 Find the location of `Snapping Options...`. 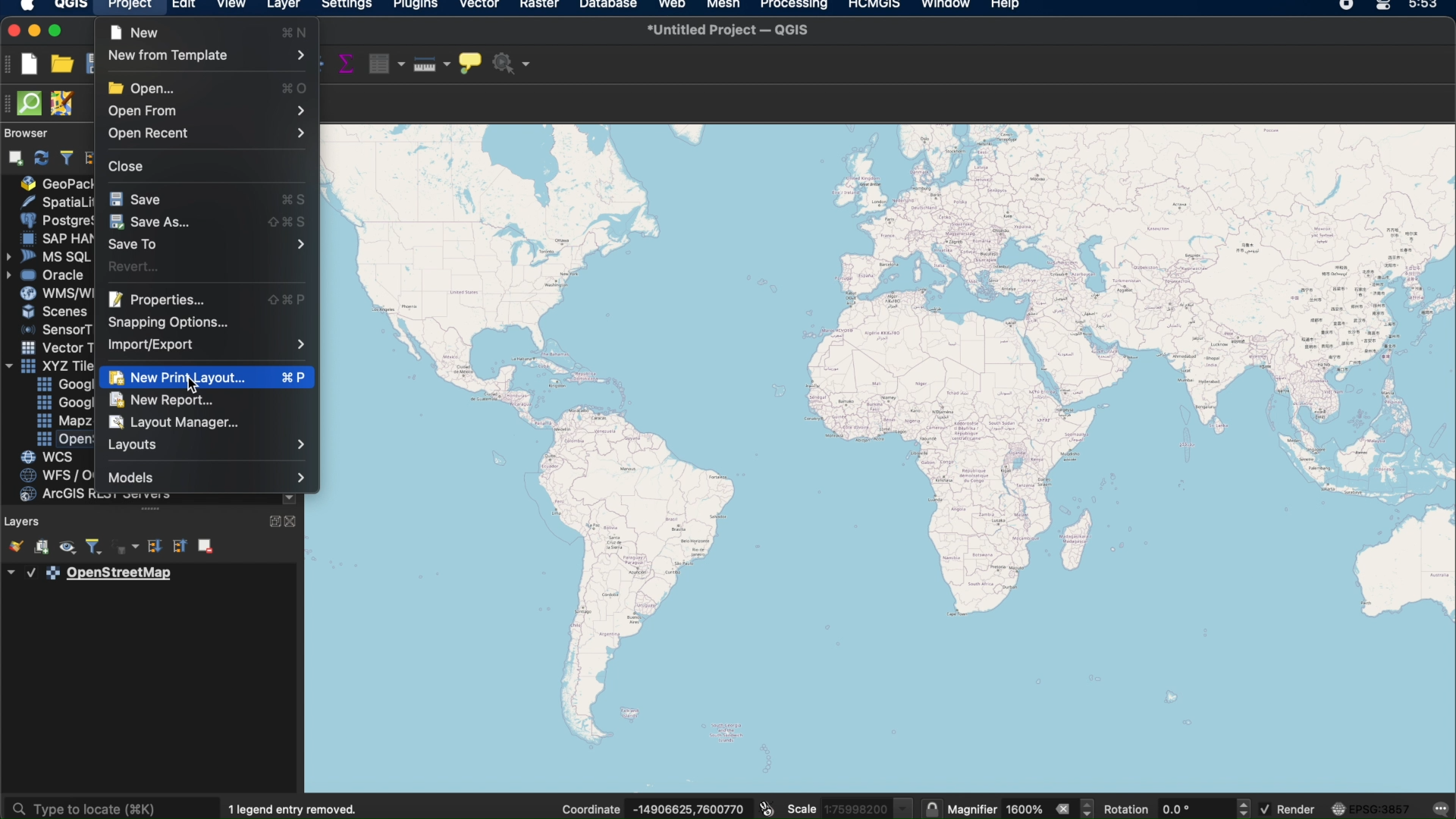

Snapping Options... is located at coordinates (171, 323).